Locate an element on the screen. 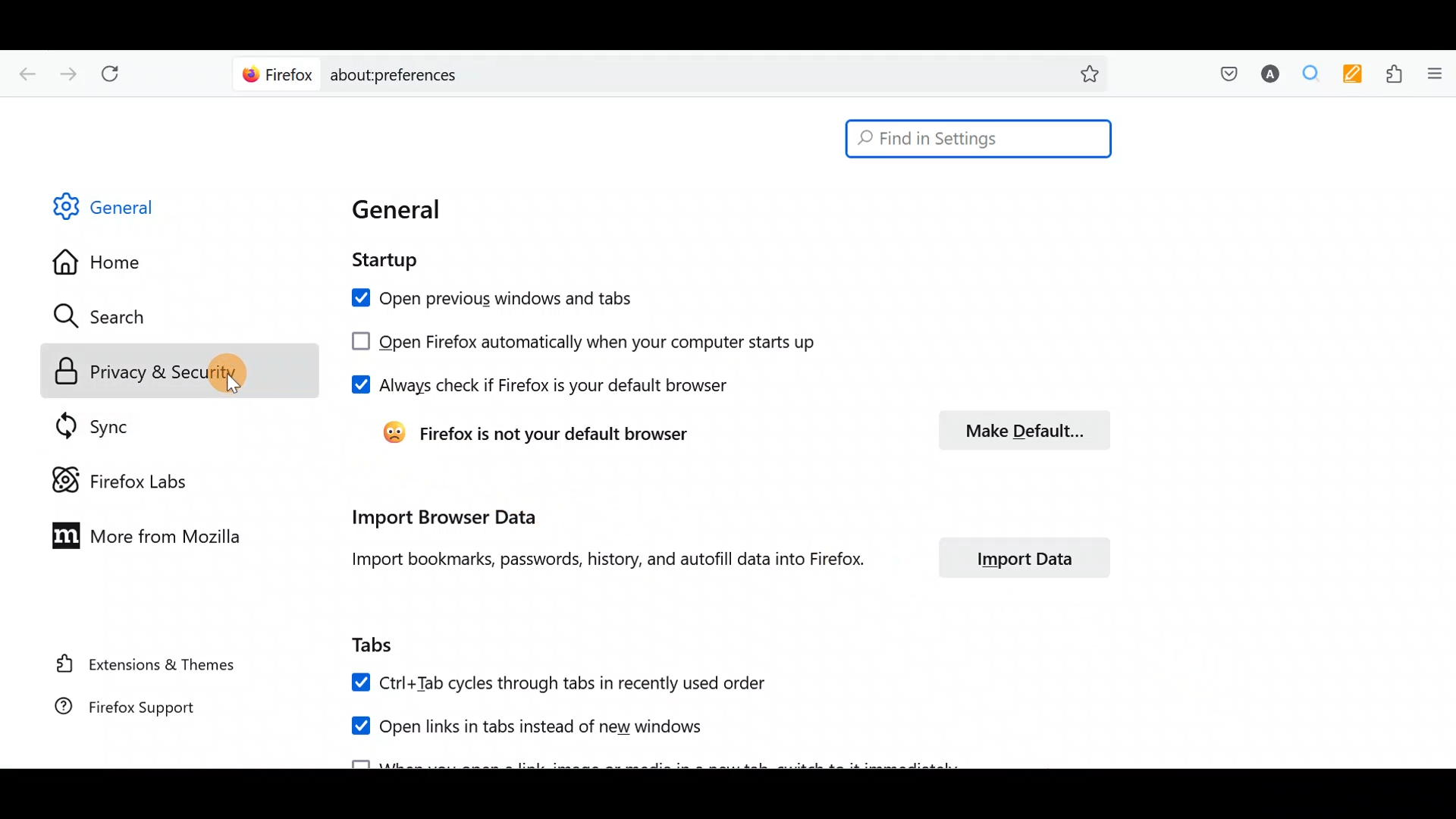 This screenshot has width=1456, height=819. Search icon is located at coordinates (115, 317).